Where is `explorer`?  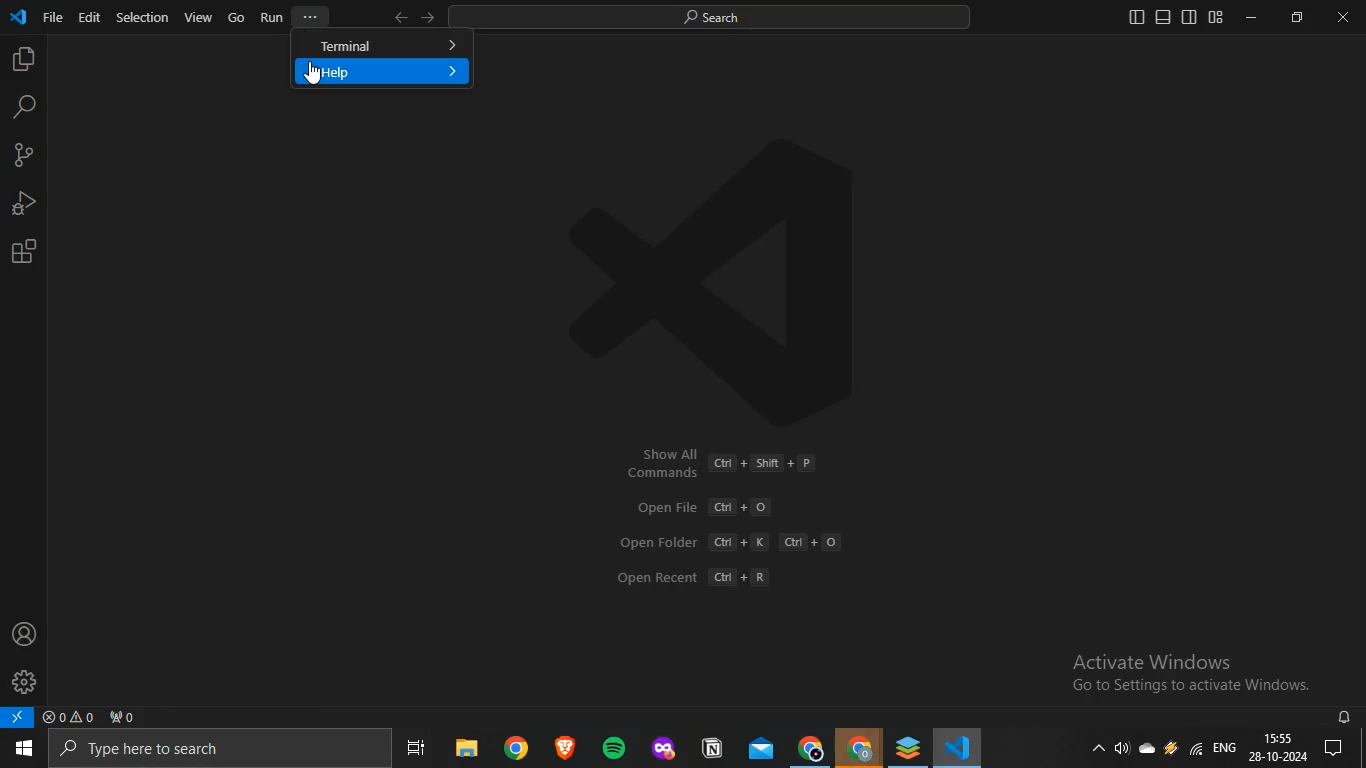
explorer is located at coordinates (21, 61).